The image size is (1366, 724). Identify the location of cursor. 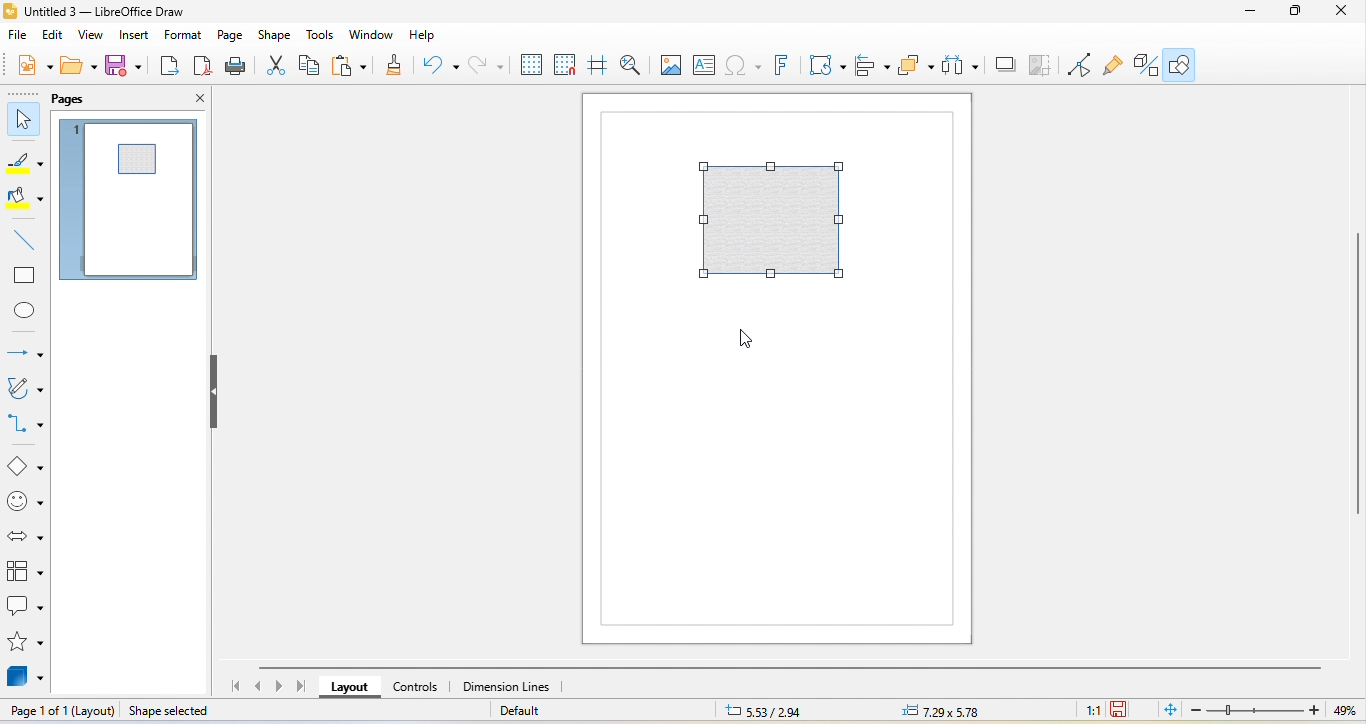
(745, 342).